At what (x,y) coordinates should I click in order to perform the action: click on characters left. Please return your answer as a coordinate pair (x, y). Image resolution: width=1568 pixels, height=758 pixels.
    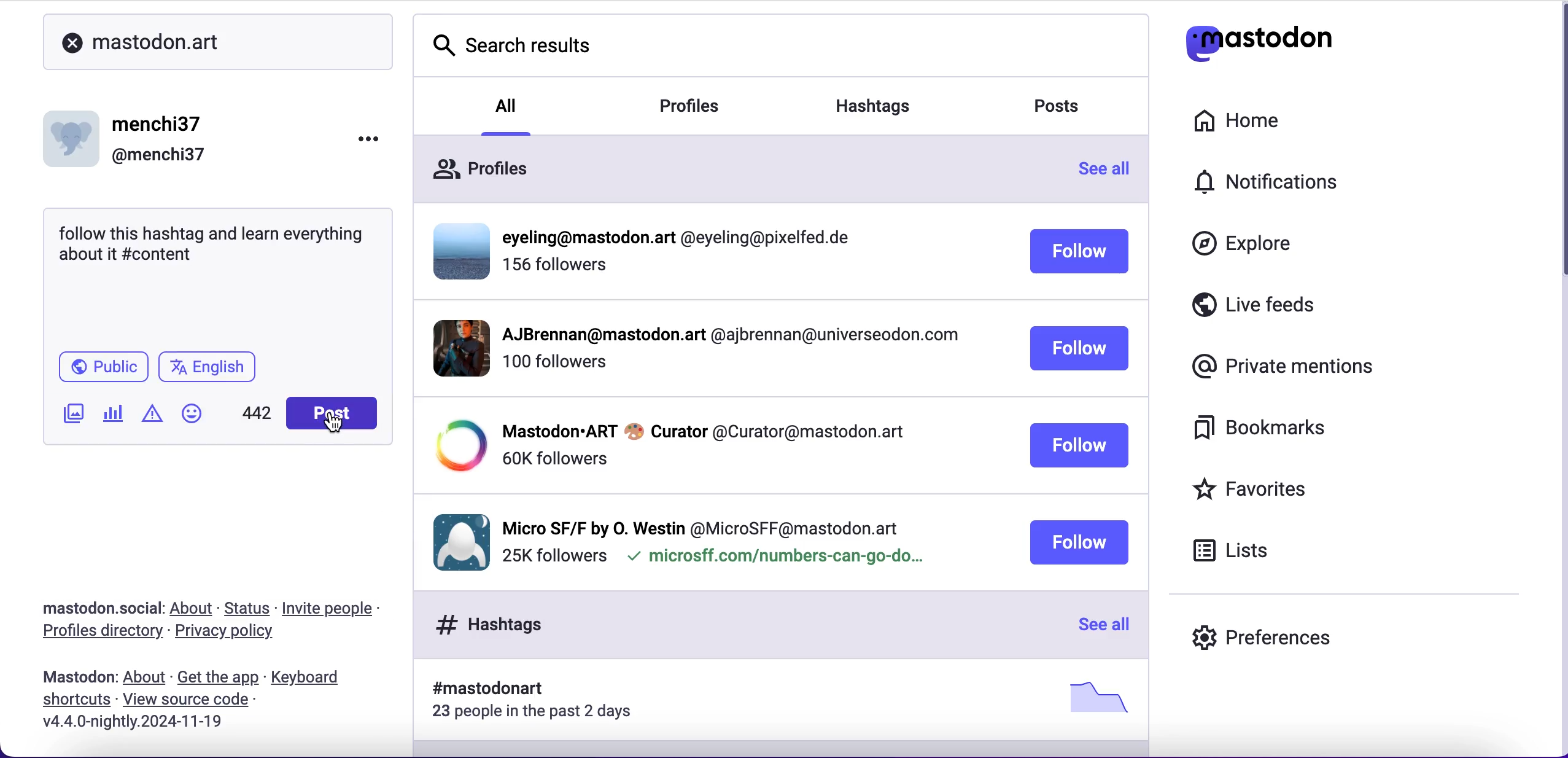
    Looking at the image, I should click on (255, 418).